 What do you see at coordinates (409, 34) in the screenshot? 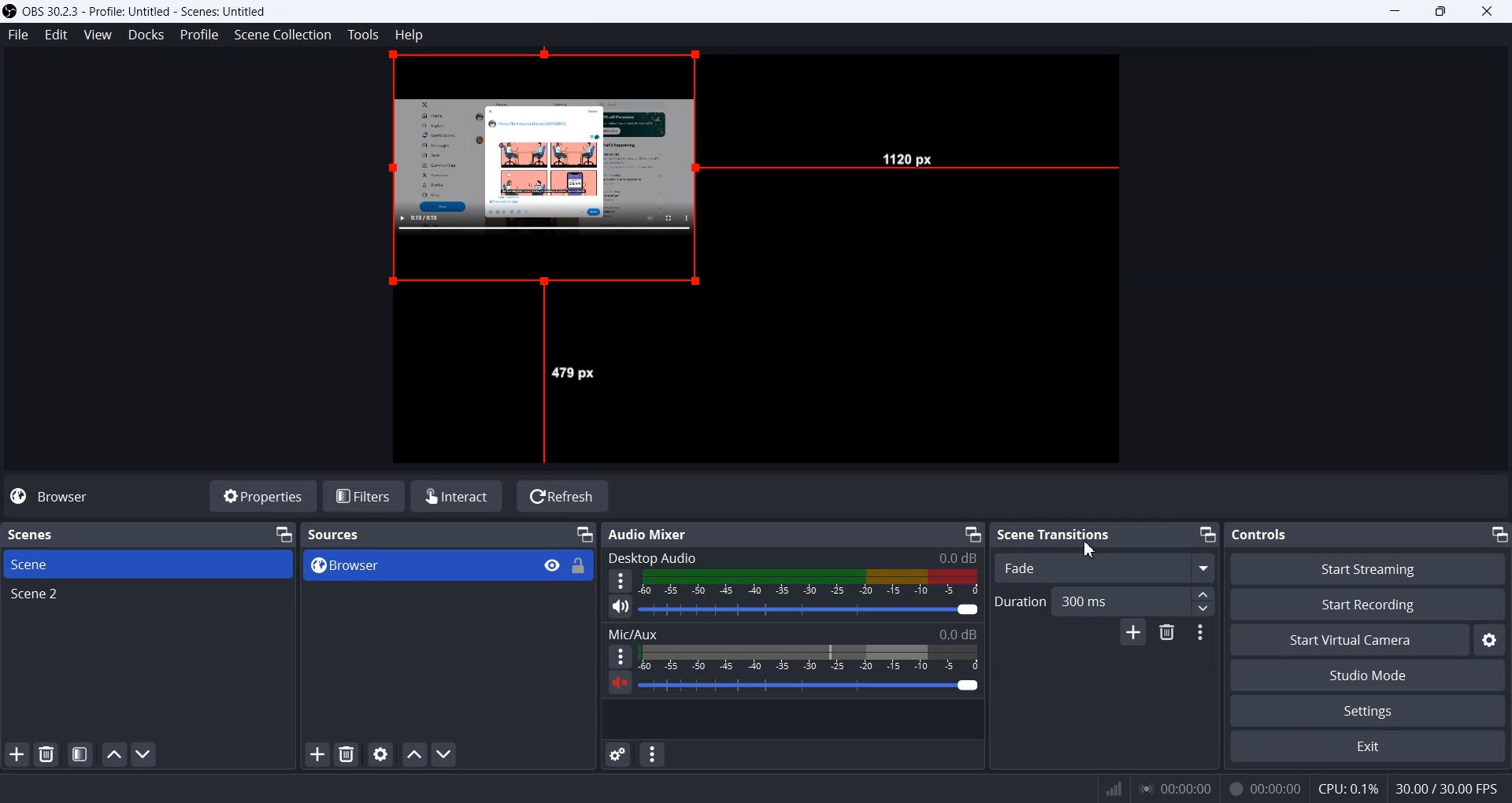
I see `Help` at bounding box center [409, 34].